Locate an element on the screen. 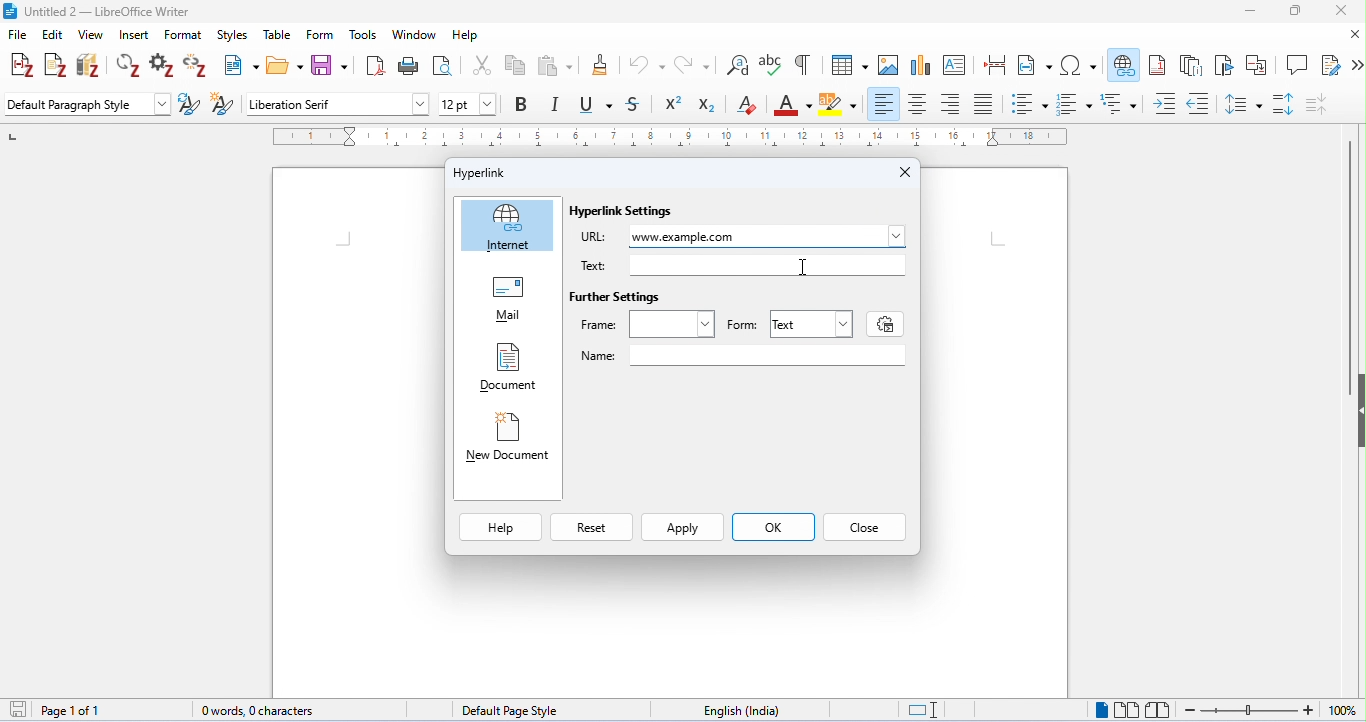  vertical scroll bar is located at coordinates (1347, 268).